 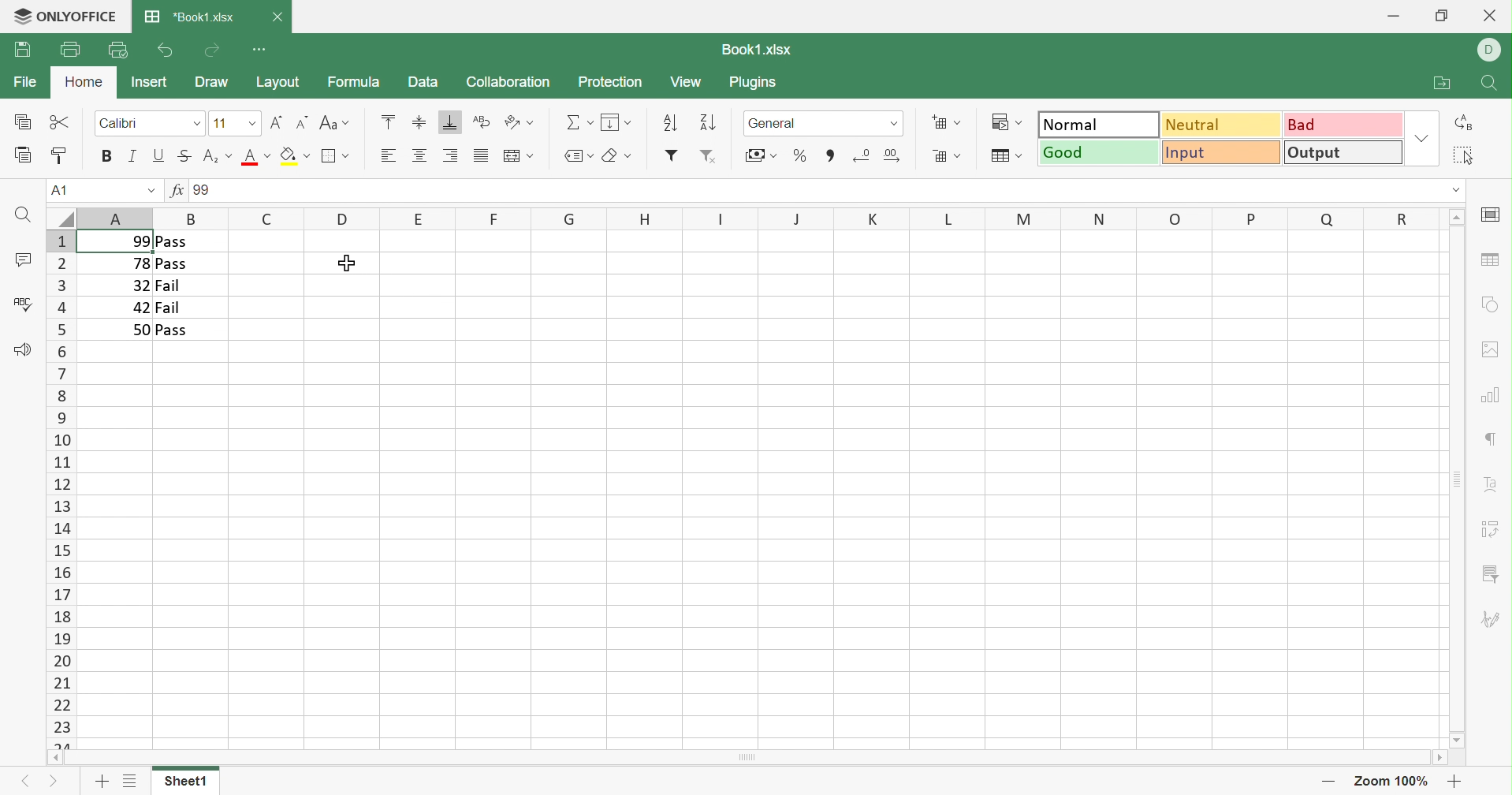 I want to click on Home, so click(x=84, y=83).